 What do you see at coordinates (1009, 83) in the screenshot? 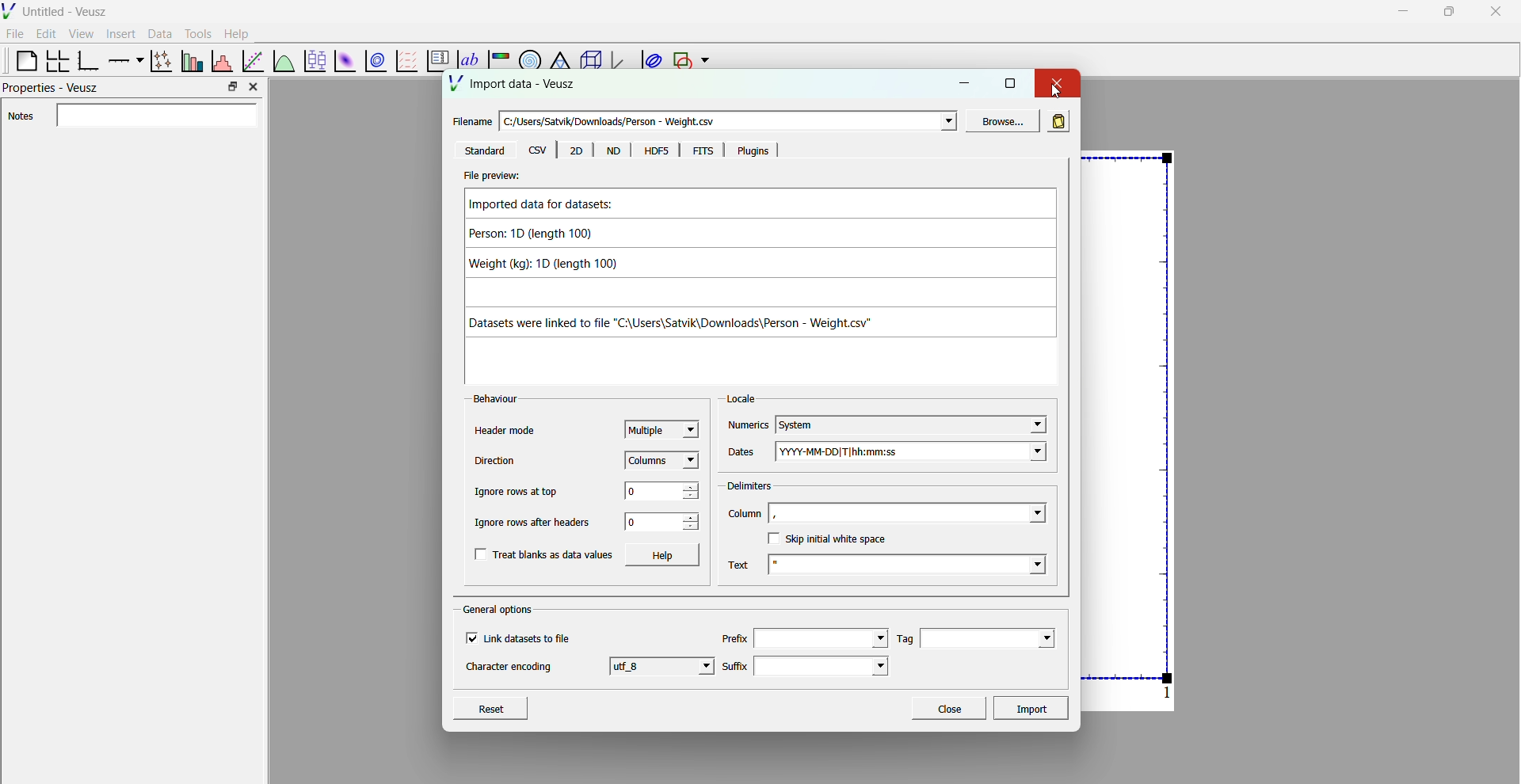
I see `maximize` at bounding box center [1009, 83].